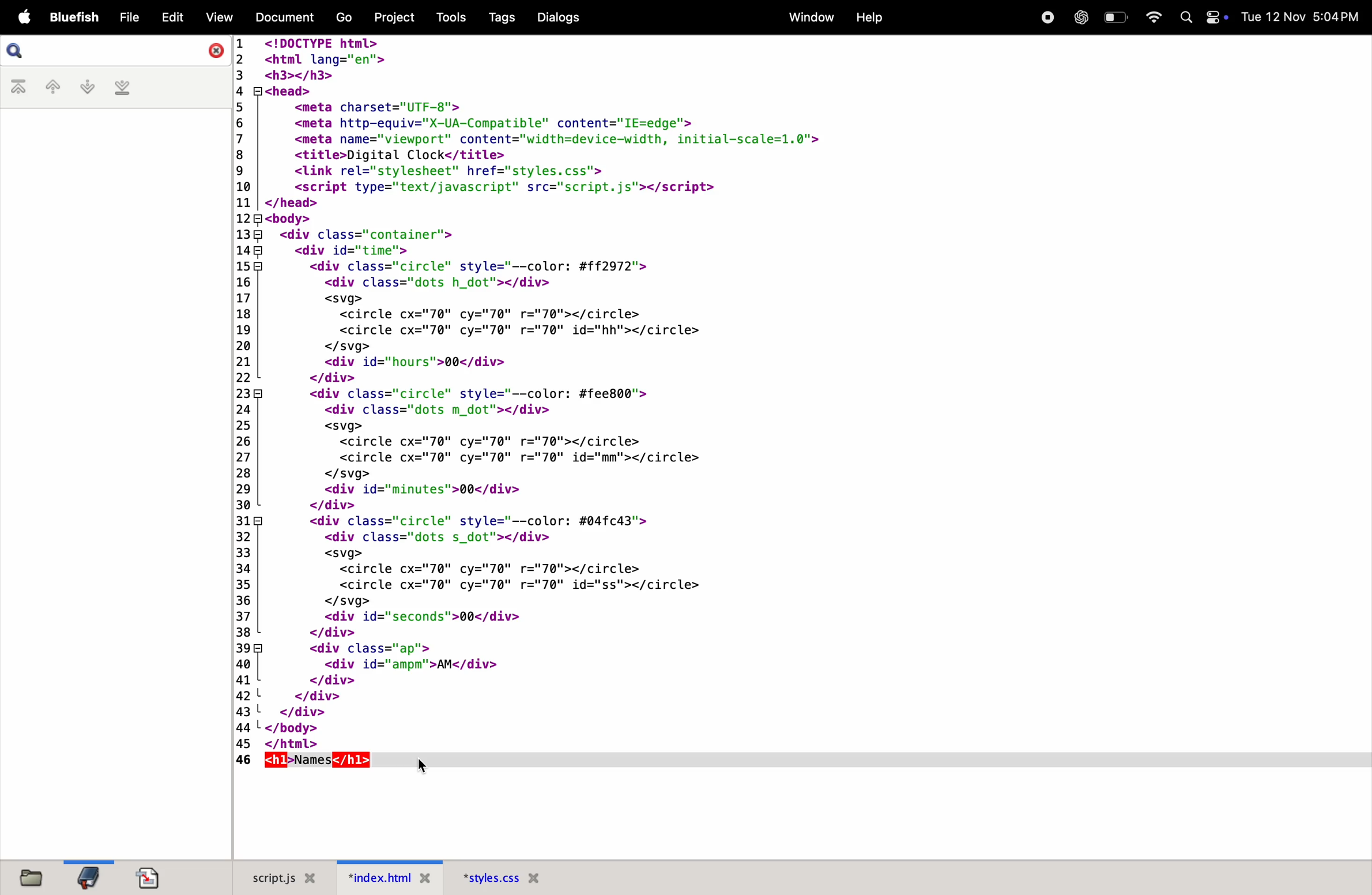 The image size is (1372, 895). What do you see at coordinates (87, 878) in the screenshot?
I see `bookmark` at bounding box center [87, 878].